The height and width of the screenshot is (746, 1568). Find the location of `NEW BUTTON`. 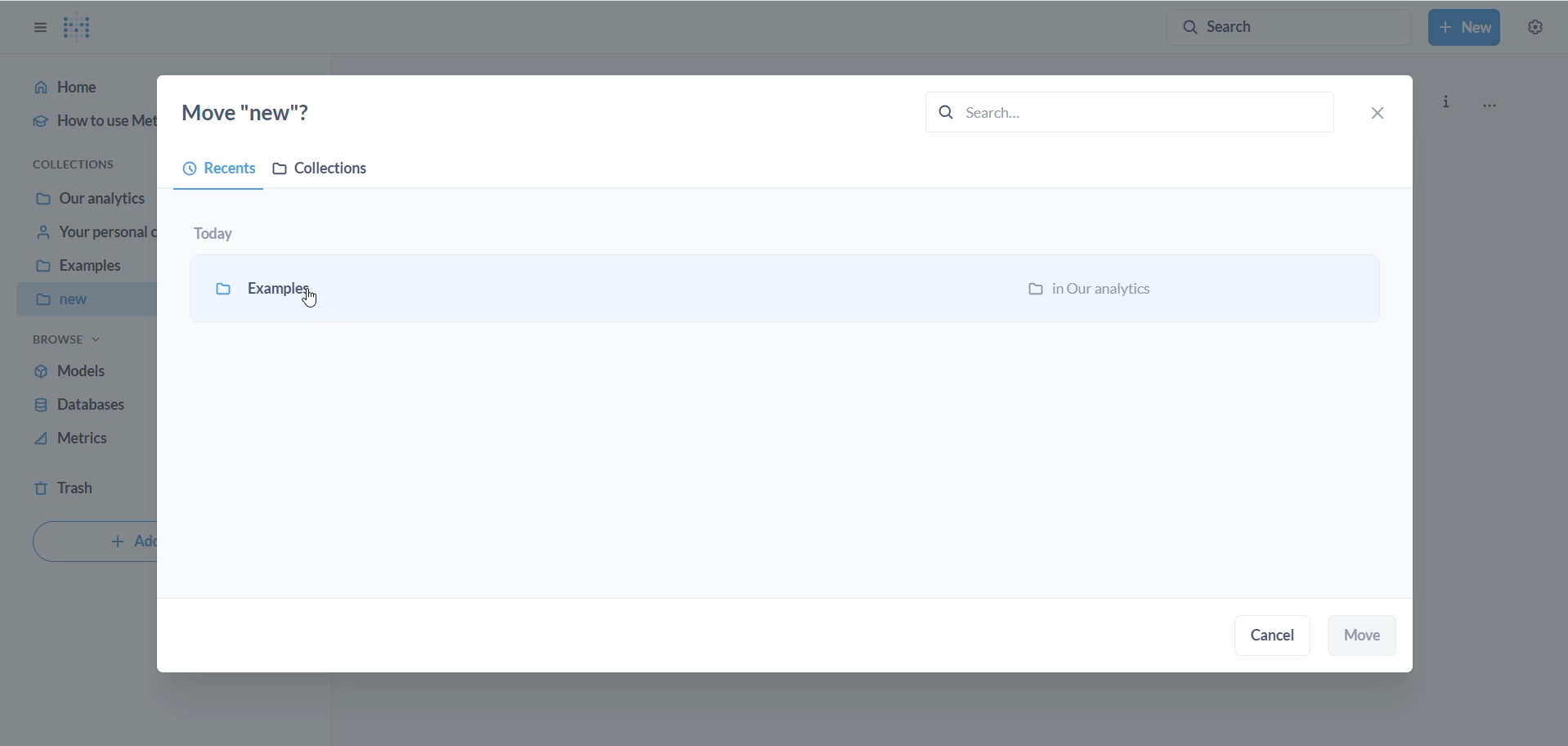

NEW BUTTON is located at coordinates (1465, 29).